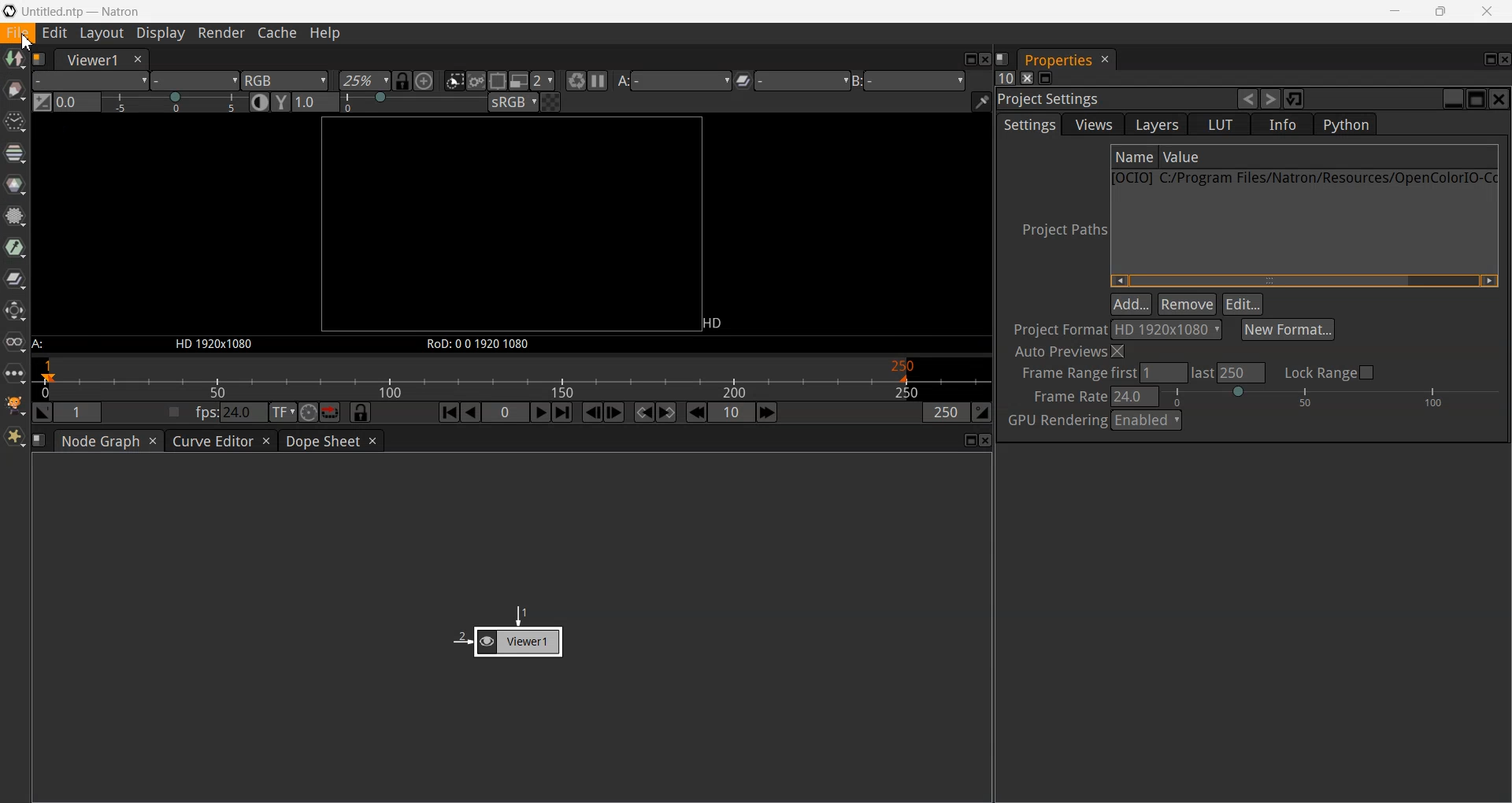 The width and height of the screenshot is (1512, 803). What do you see at coordinates (331, 413) in the screenshot?
I see `Loop, bounce or stop ` at bounding box center [331, 413].